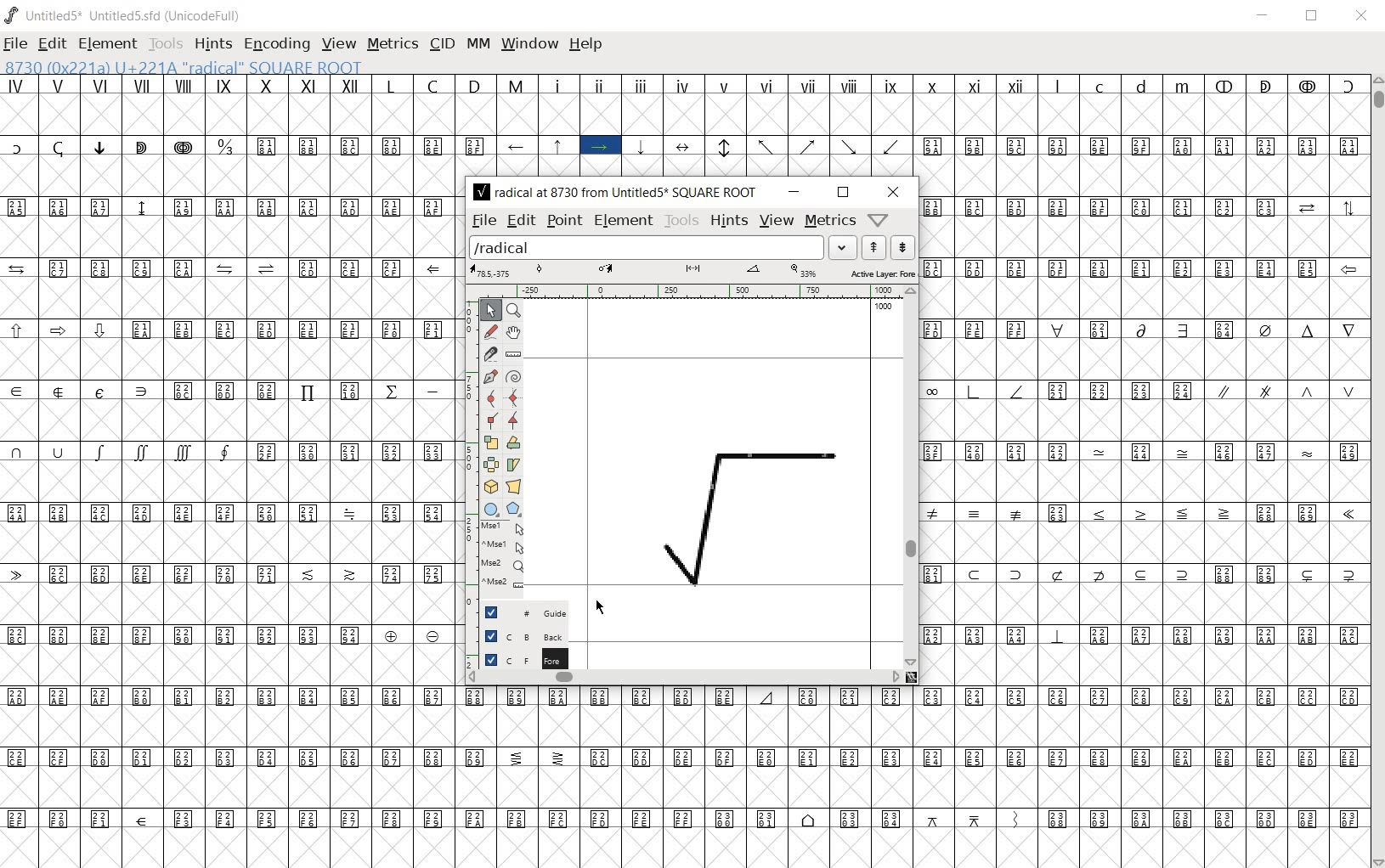  I want to click on view, so click(775, 220).